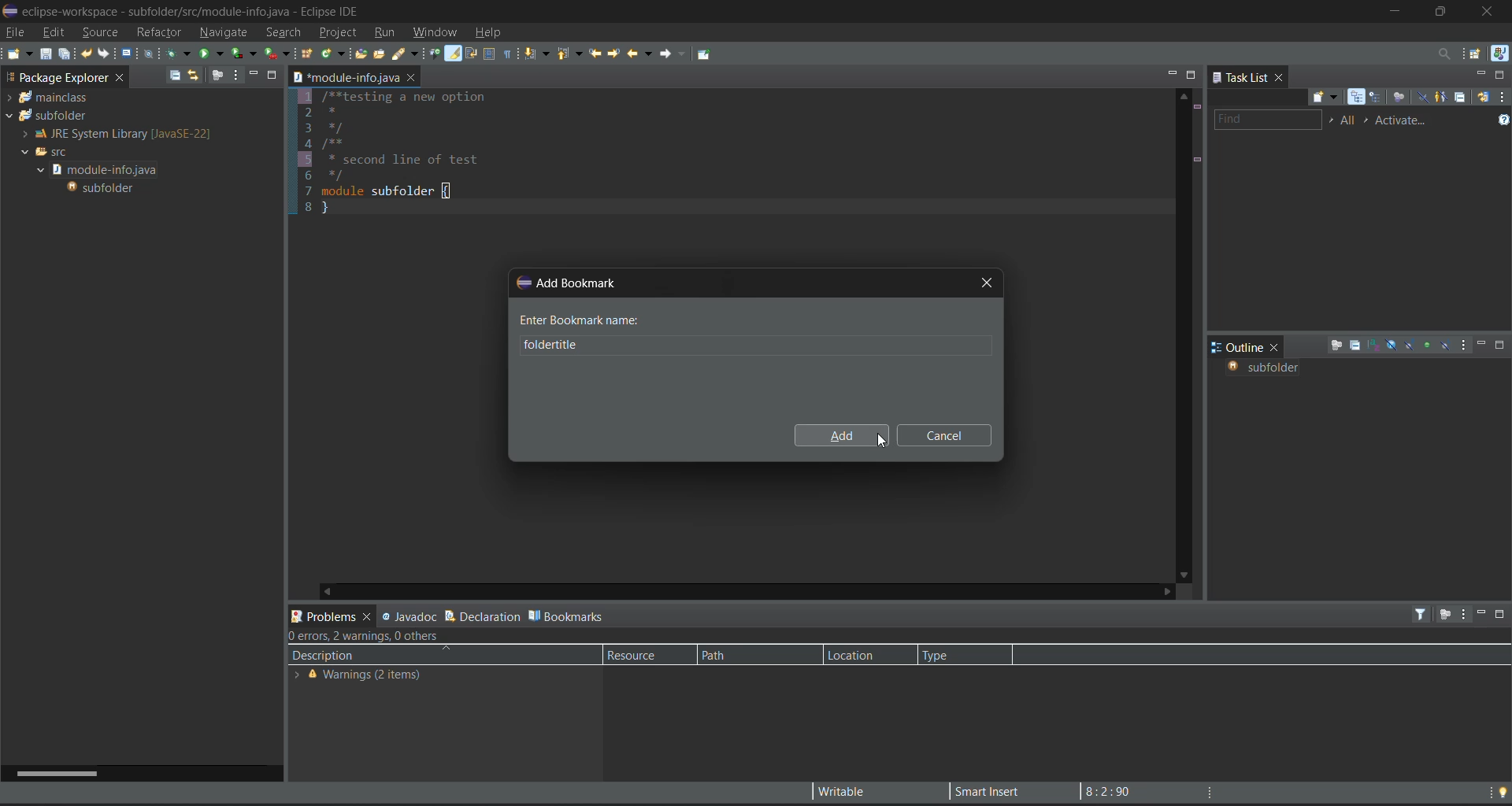  What do you see at coordinates (194, 12) in the screenshot?
I see `eclipse-workspace - subfolder/src/module-info,java - Eclipse IDE` at bounding box center [194, 12].